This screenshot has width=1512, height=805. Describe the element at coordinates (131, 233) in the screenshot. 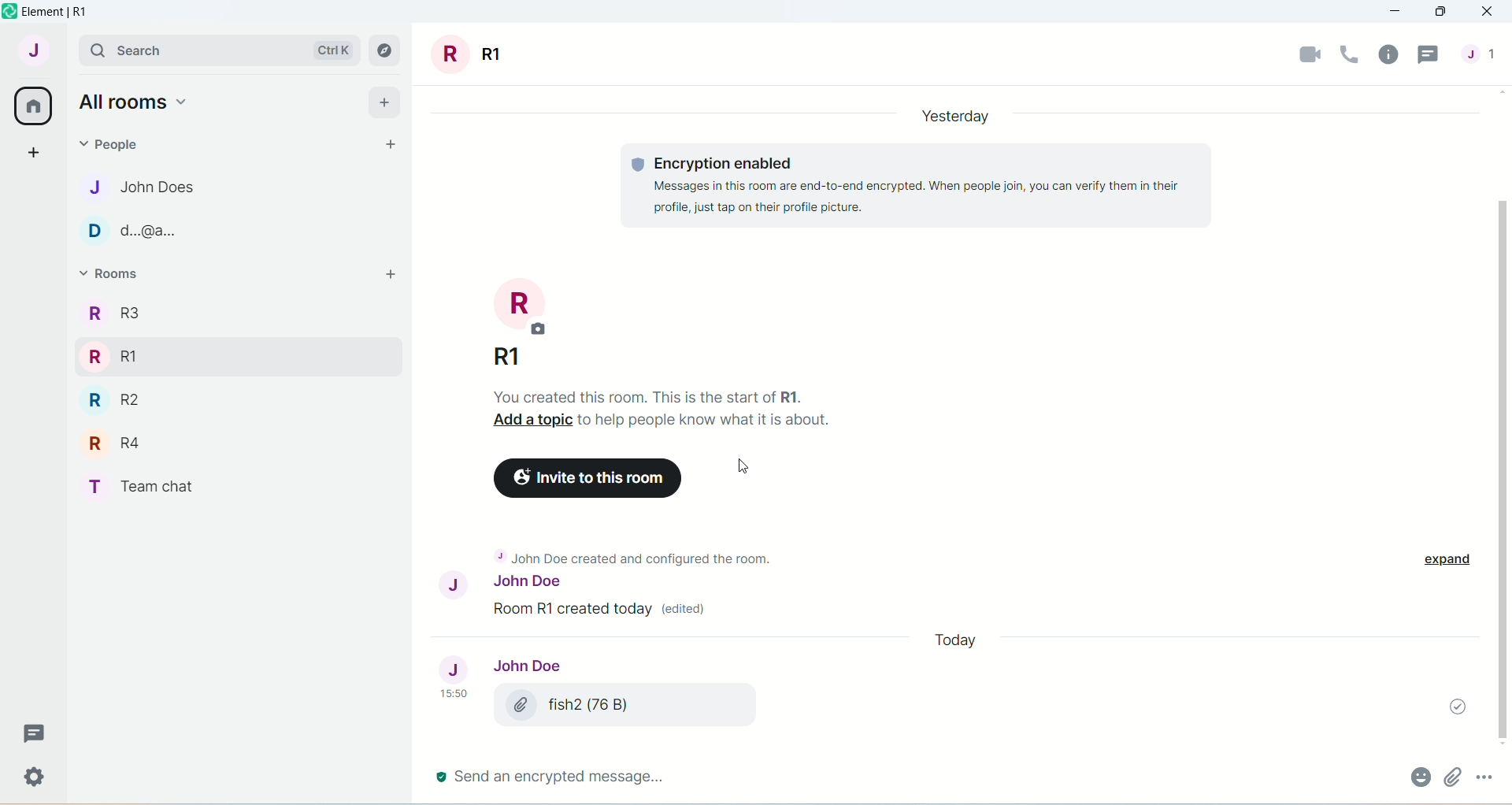

I see `D d..@a..` at that location.